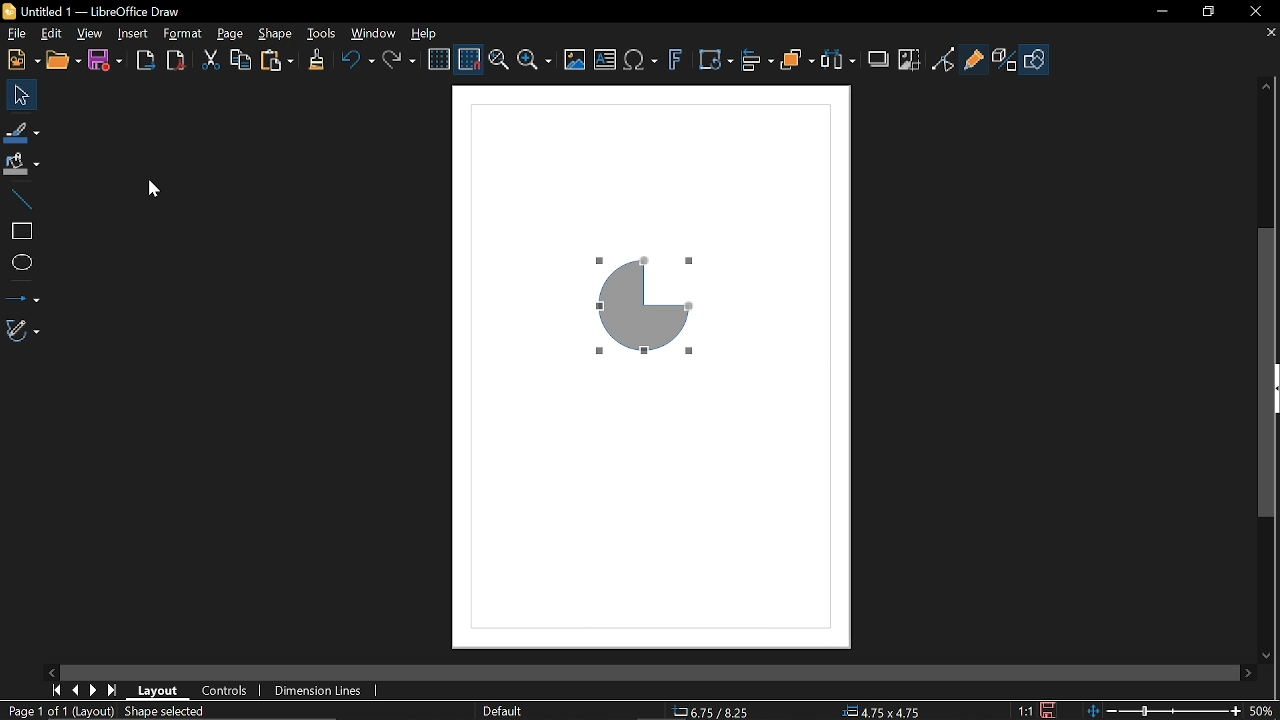 Image resolution: width=1280 pixels, height=720 pixels. I want to click on Zoom and pan, so click(498, 63).